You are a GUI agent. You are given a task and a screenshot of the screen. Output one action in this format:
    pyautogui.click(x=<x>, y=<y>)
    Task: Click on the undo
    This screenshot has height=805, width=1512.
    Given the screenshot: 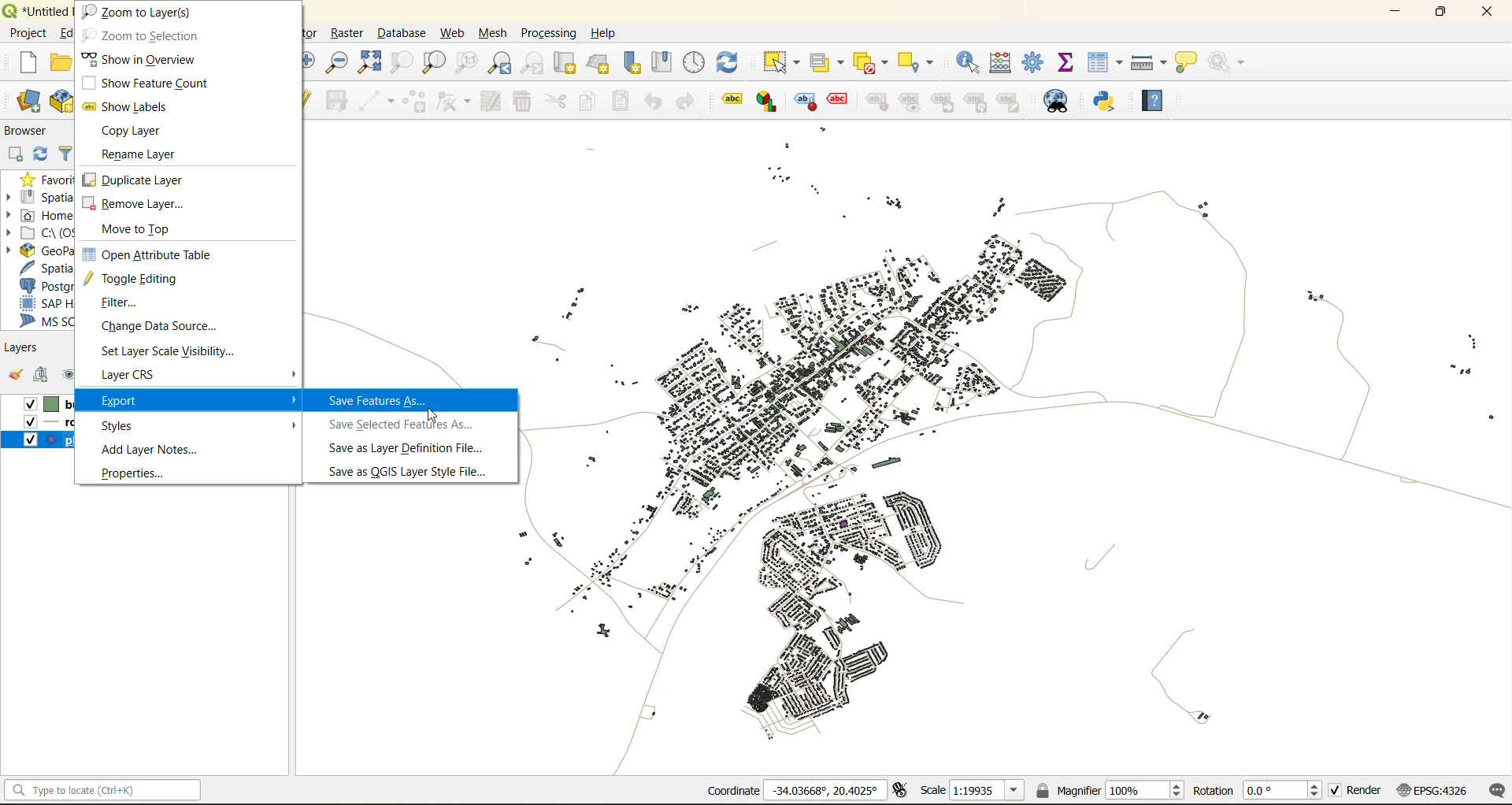 What is the action you would take?
    pyautogui.click(x=652, y=101)
    